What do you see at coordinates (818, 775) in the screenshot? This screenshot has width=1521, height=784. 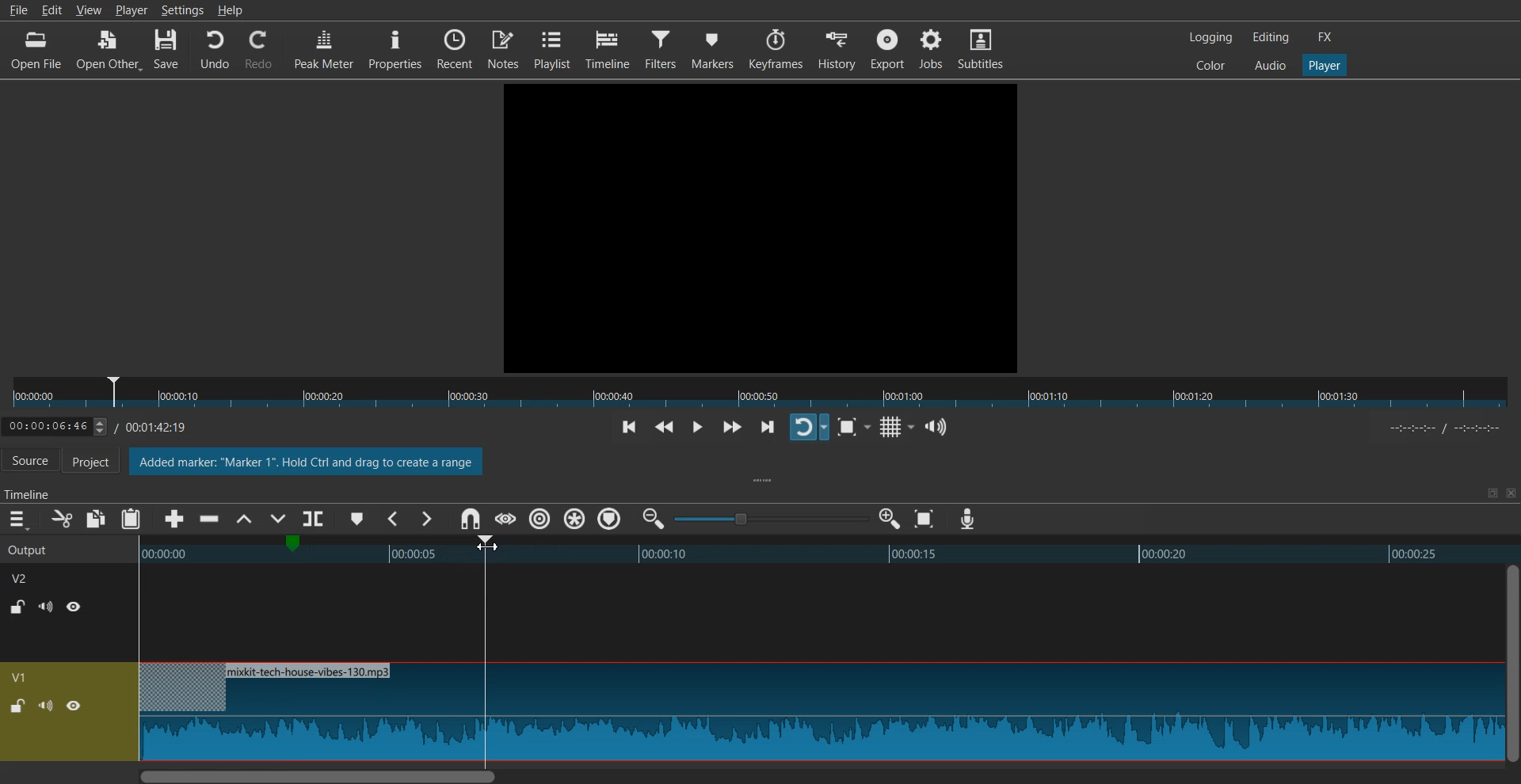 I see `Horizontal Scroll bar` at bounding box center [818, 775].